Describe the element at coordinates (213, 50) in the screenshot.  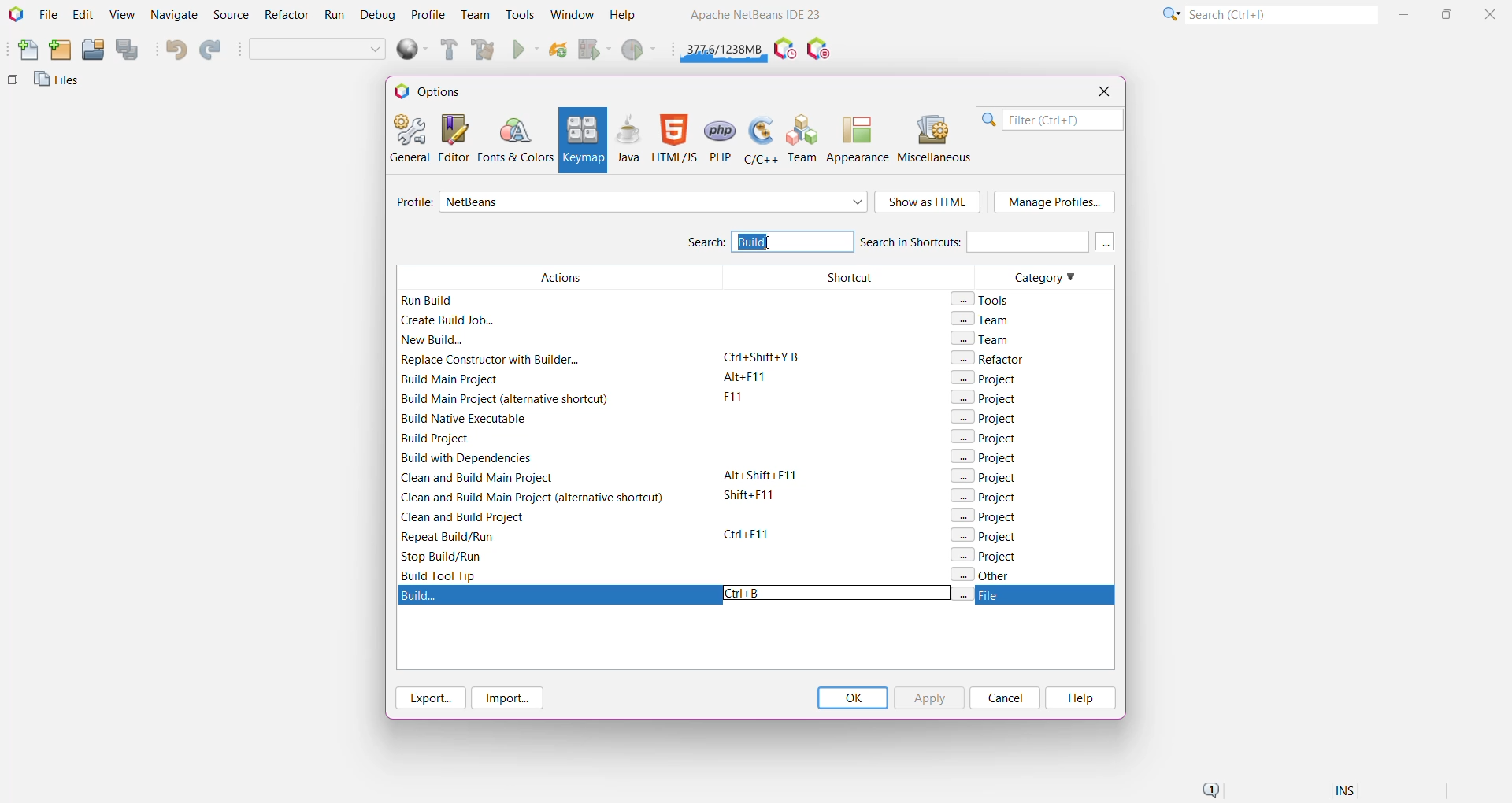
I see `Redo` at that location.